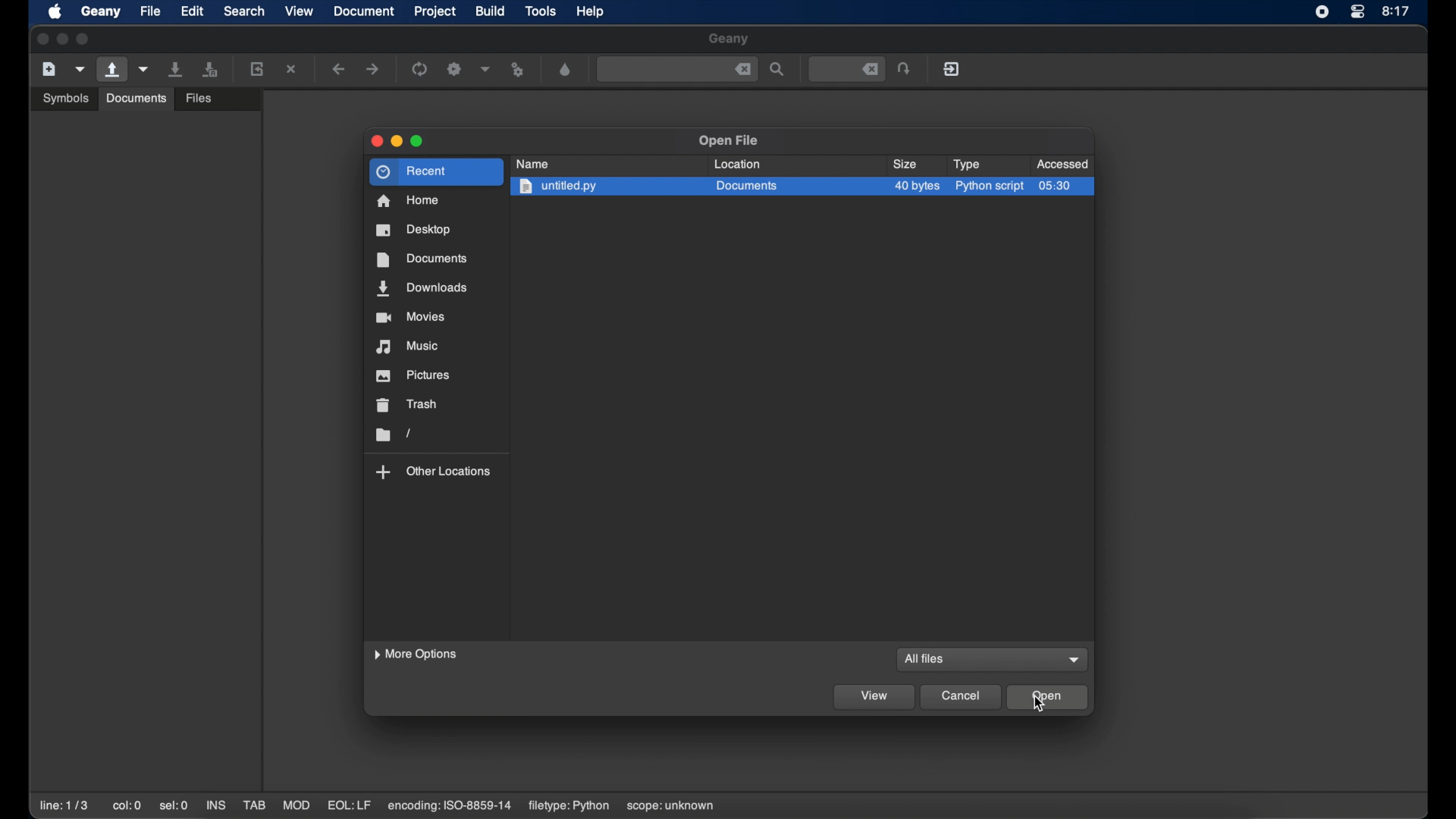  I want to click on mod, so click(297, 805).